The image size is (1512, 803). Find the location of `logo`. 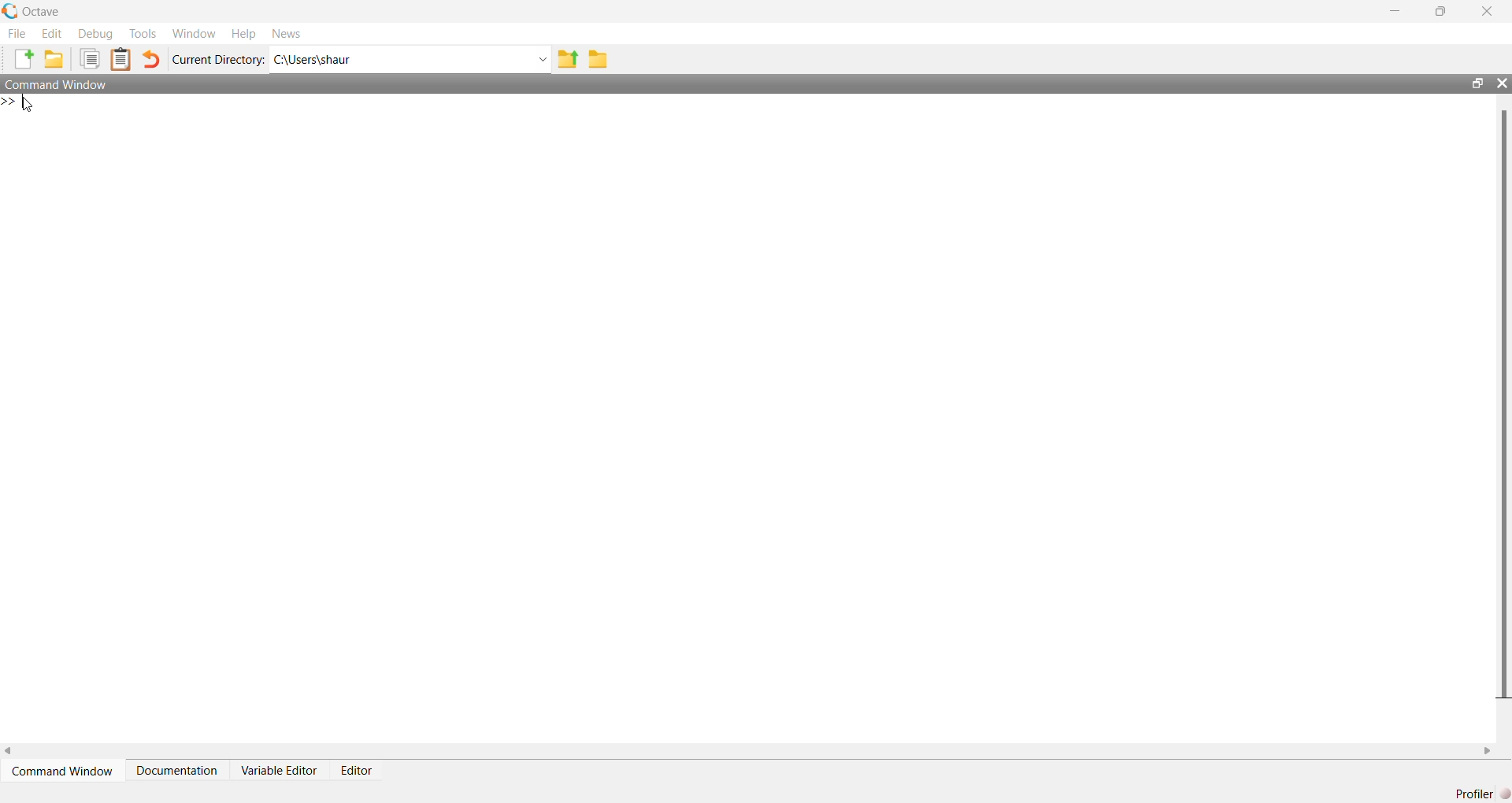

logo is located at coordinates (11, 11).